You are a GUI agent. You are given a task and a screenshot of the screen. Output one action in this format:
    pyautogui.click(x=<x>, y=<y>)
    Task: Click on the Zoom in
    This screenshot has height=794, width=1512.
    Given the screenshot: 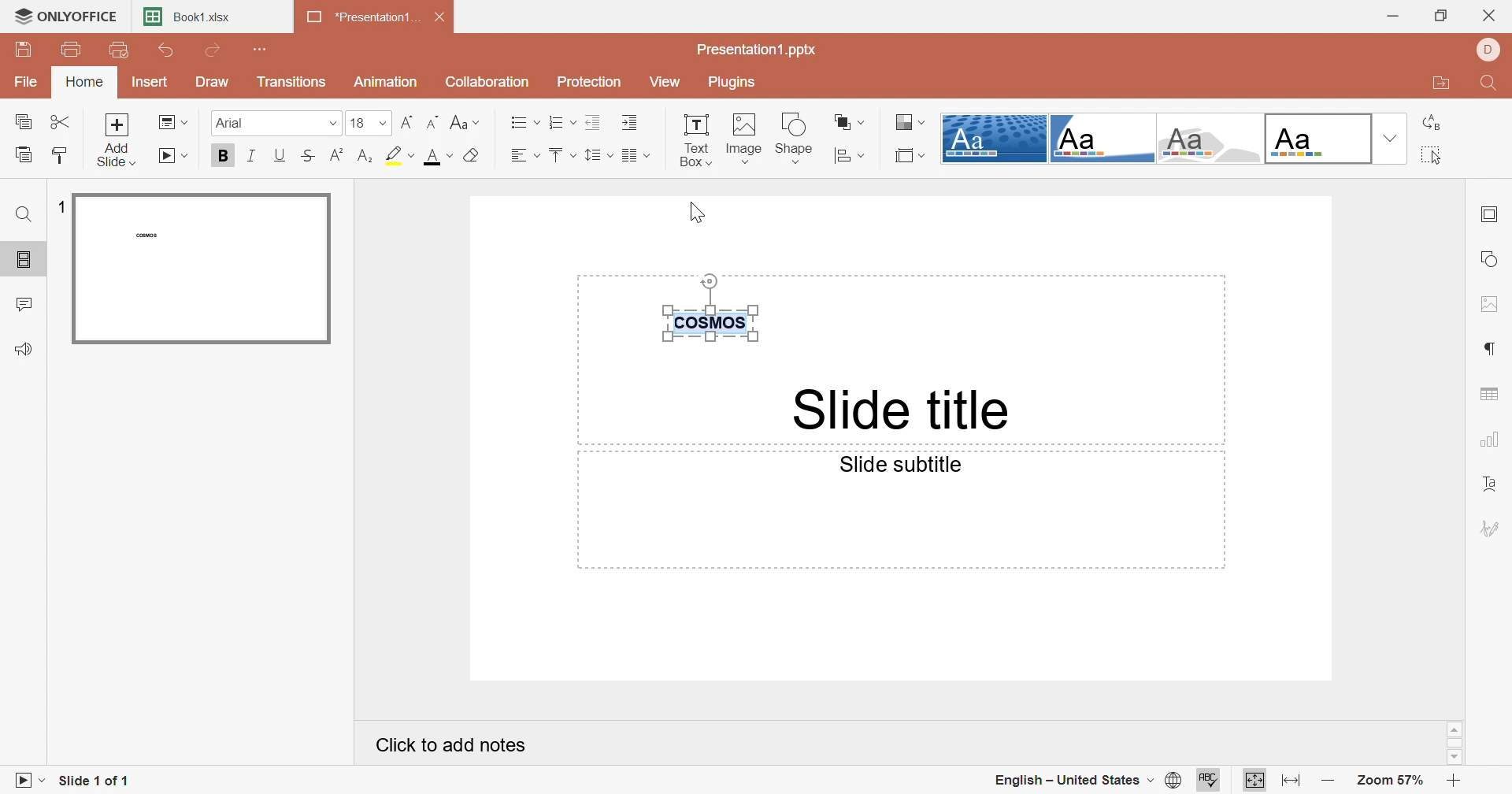 What is the action you would take?
    pyautogui.click(x=1458, y=779)
    